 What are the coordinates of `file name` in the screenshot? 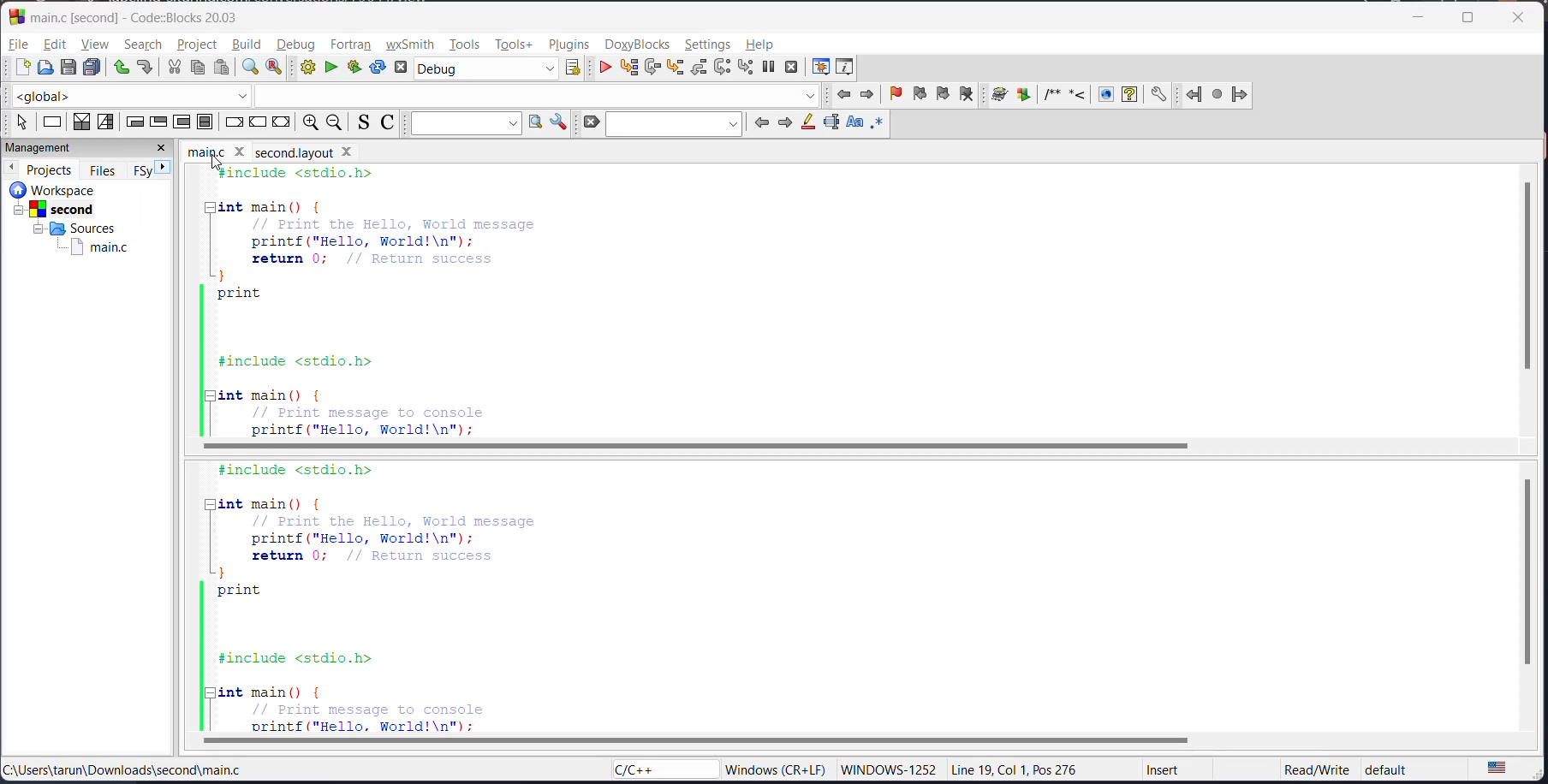 It's located at (305, 151).